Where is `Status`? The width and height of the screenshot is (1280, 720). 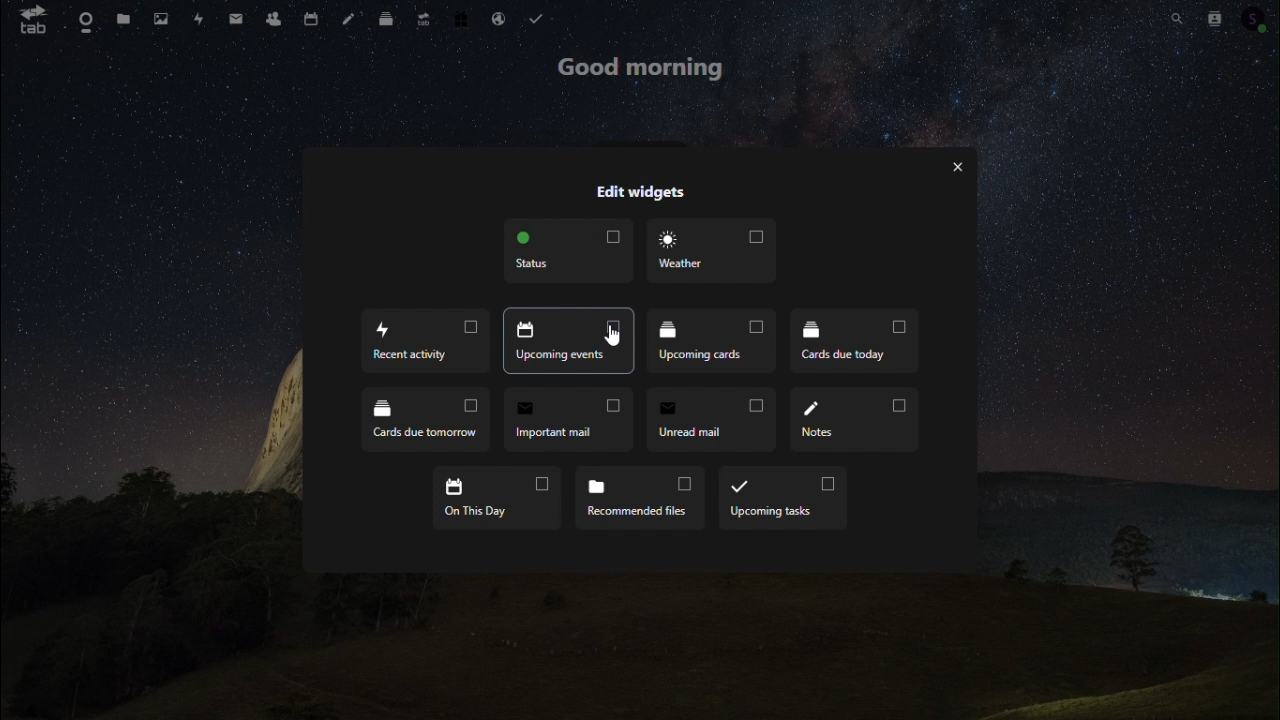
Status is located at coordinates (567, 251).